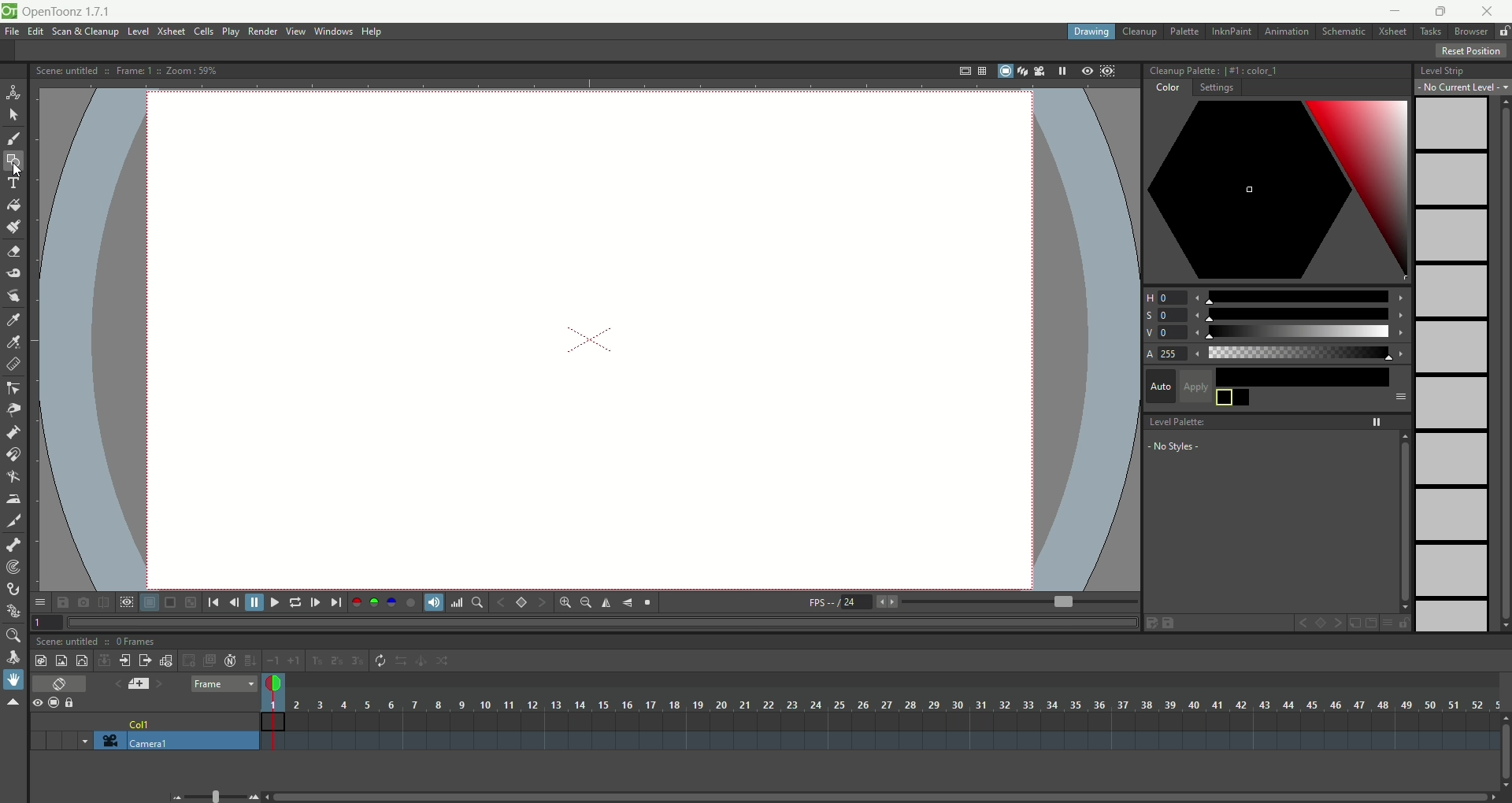  Describe the element at coordinates (335, 31) in the screenshot. I see `windows` at that location.